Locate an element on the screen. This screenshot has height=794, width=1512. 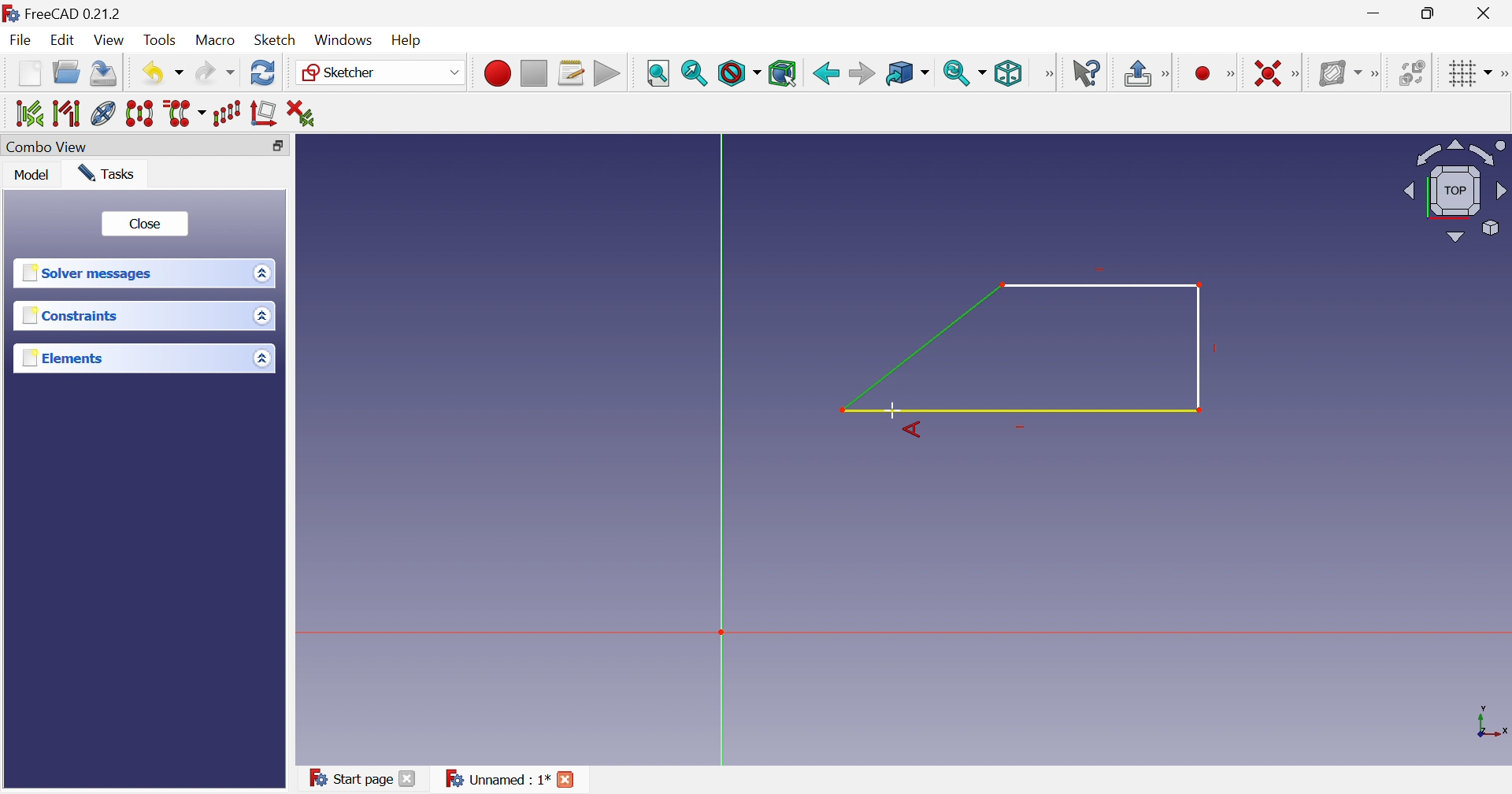
Symmetry is located at coordinates (140, 114).